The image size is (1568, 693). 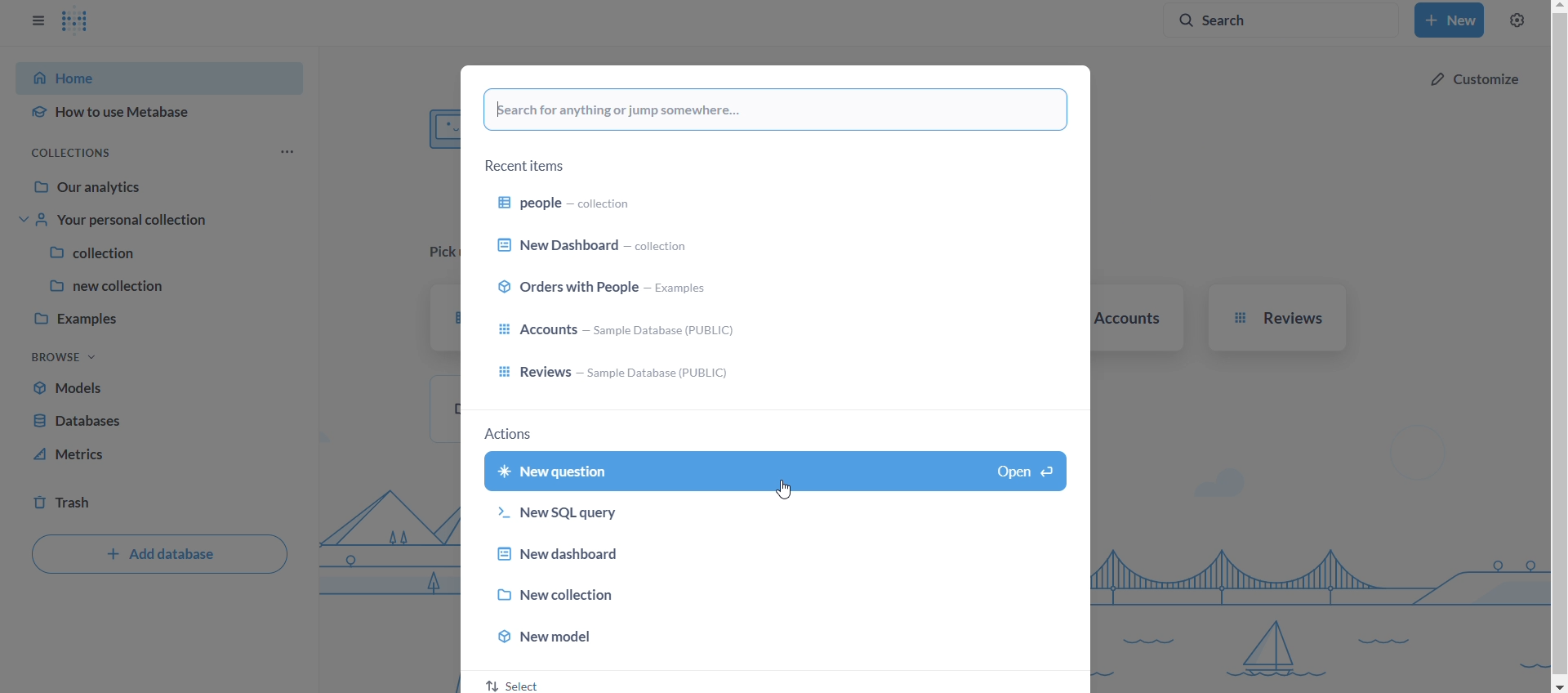 What do you see at coordinates (508, 683) in the screenshot?
I see `select` at bounding box center [508, 683].